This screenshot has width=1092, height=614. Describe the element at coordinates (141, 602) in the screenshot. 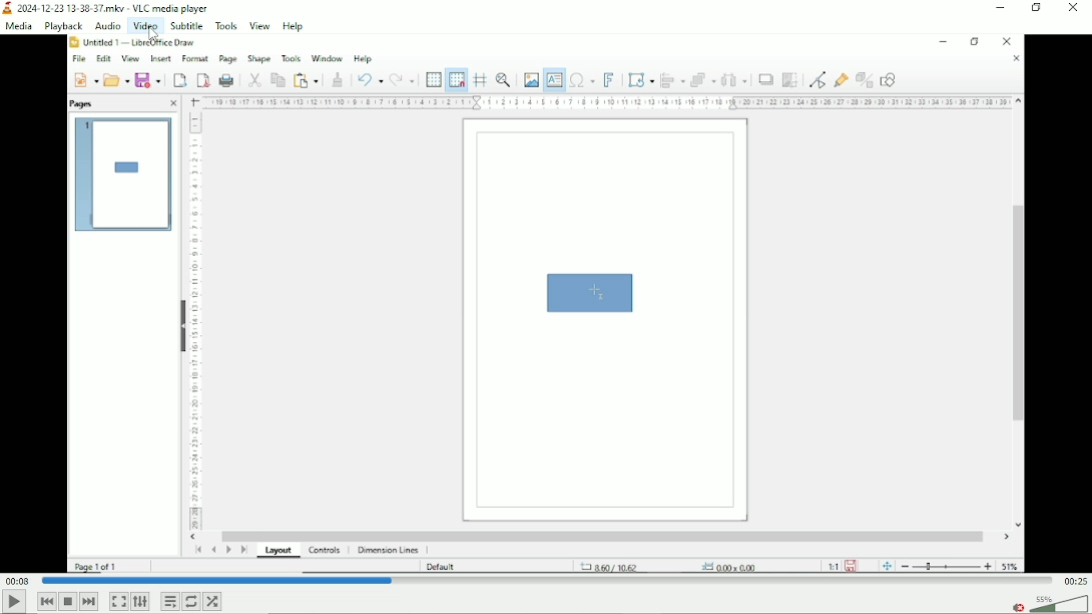

I see `Show extended settings` at that location.